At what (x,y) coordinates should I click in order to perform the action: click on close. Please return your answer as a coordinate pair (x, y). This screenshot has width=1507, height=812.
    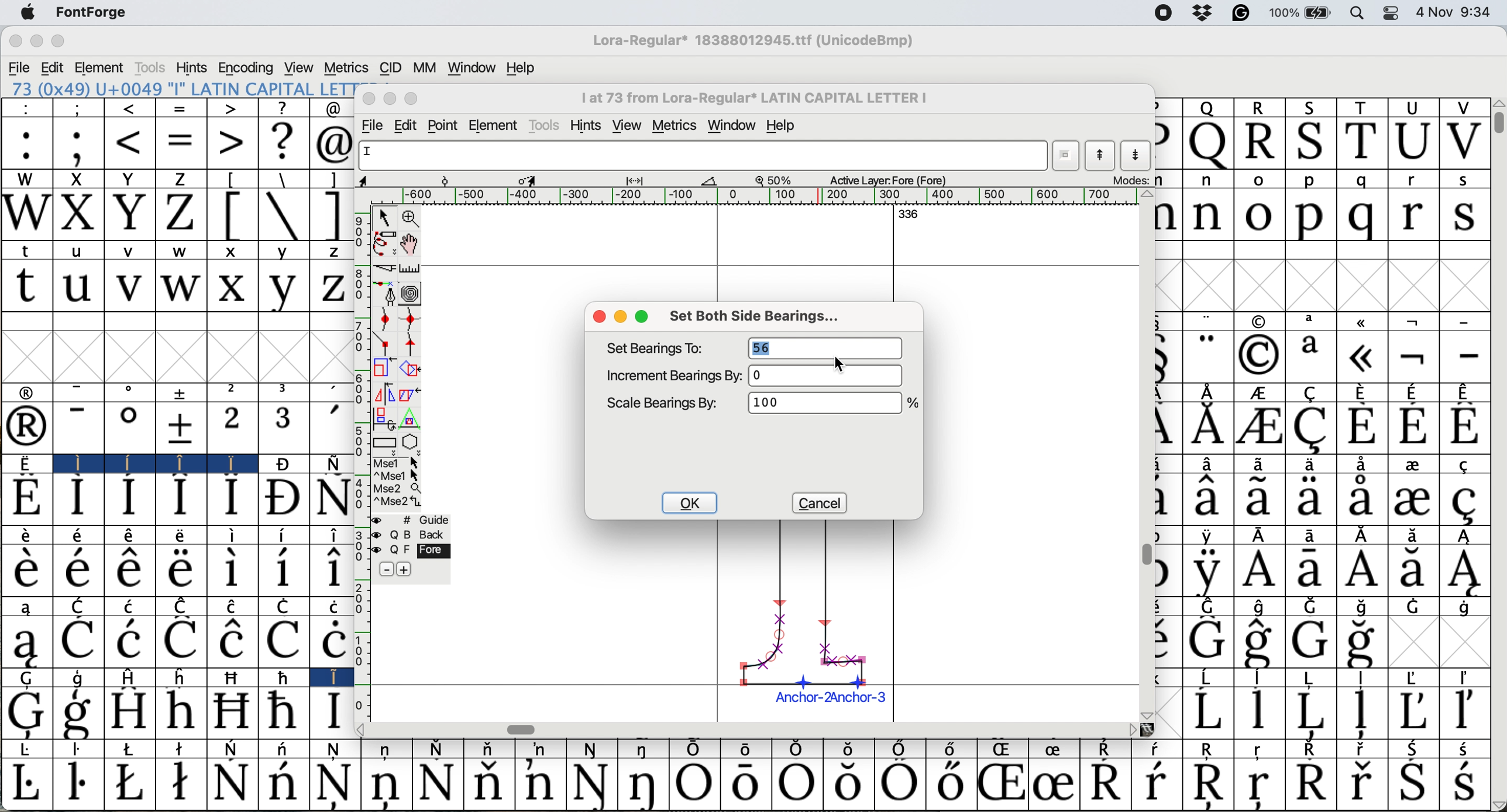
    Looking at the image, I should click on (599, 318).